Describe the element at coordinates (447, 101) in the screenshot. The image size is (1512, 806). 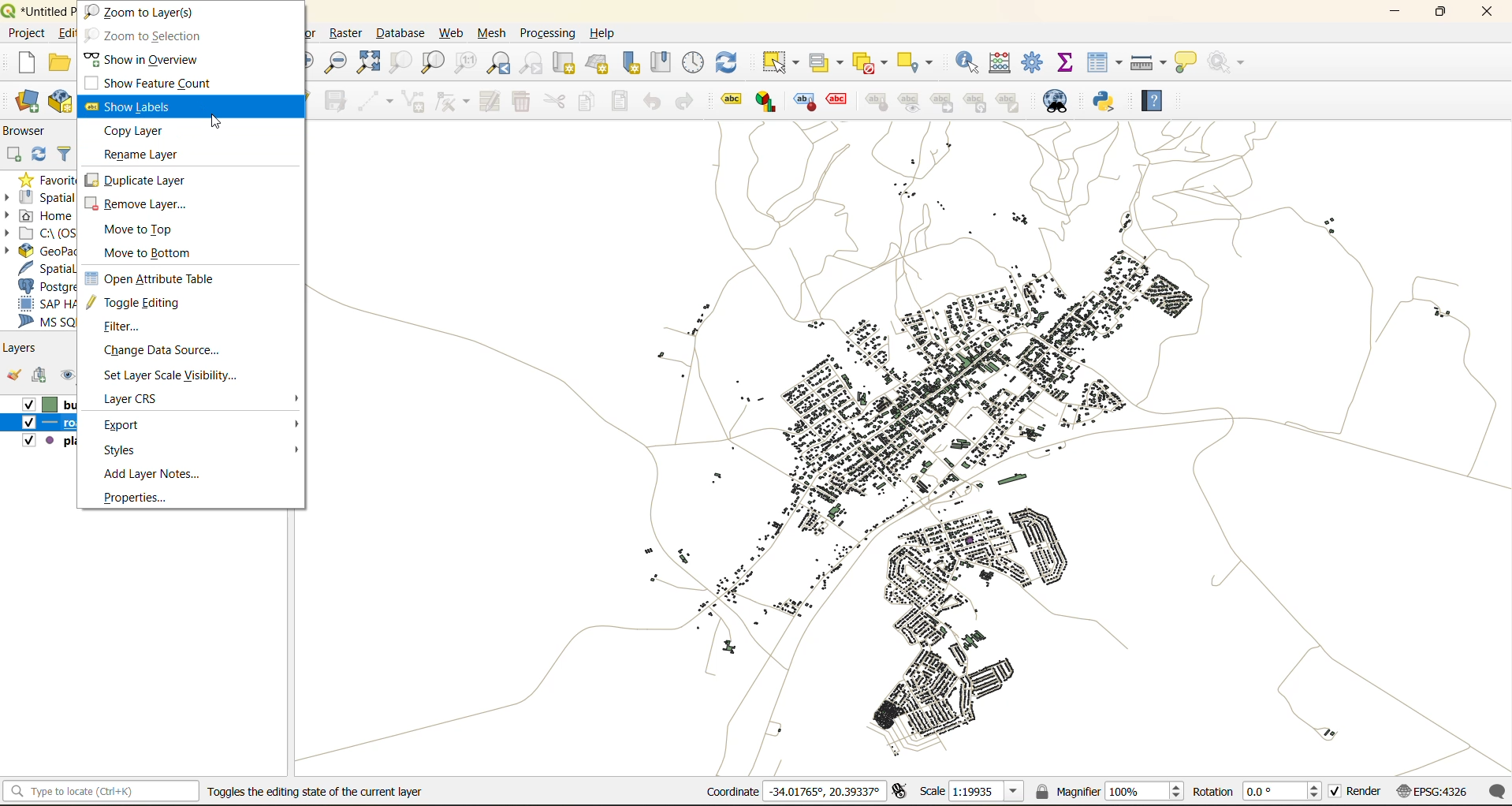
I see `vertex tools` at that location.